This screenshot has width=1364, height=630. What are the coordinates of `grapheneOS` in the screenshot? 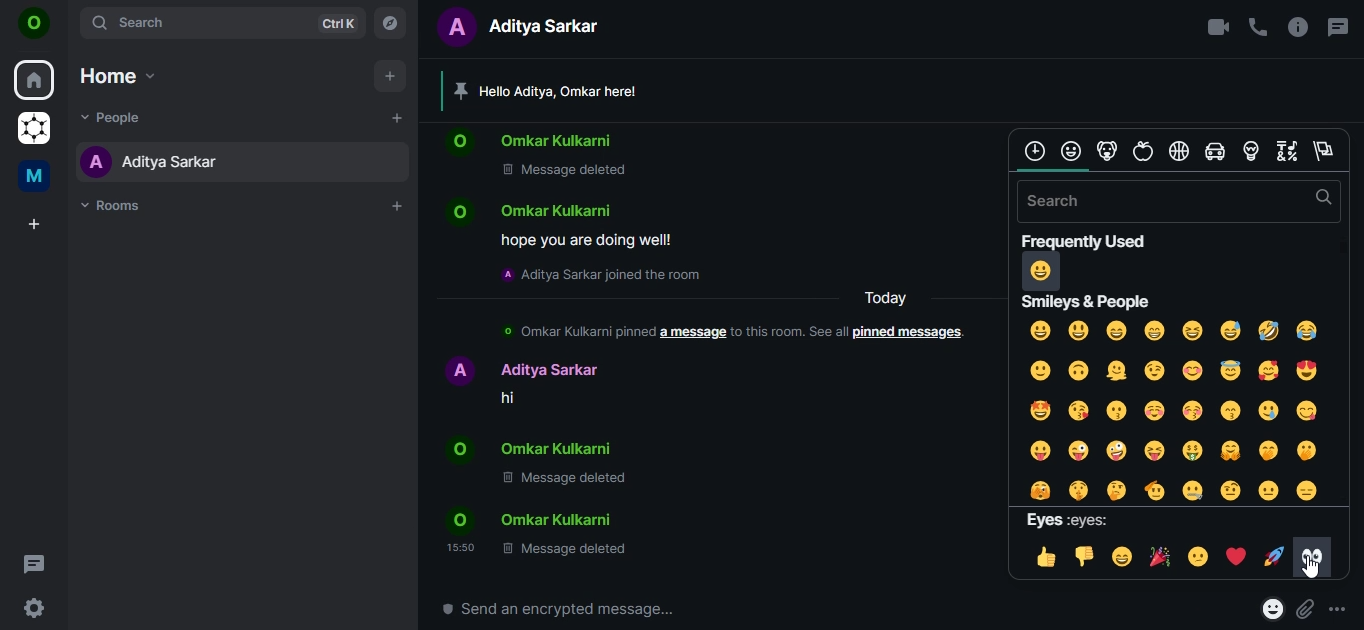 It's located at (33, 126).